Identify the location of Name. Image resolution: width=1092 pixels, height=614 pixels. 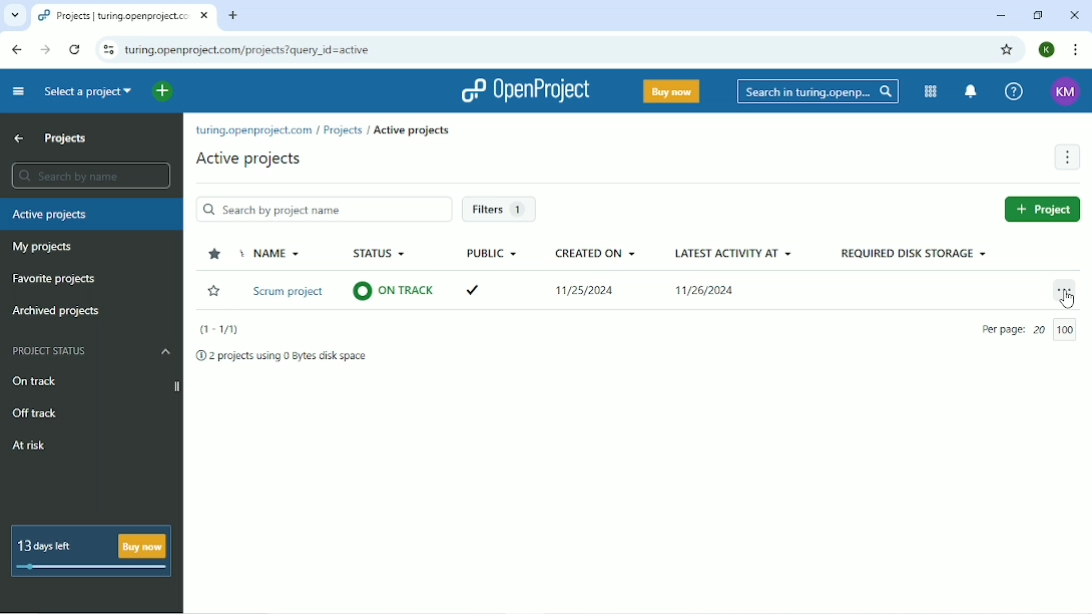
(276, 254).